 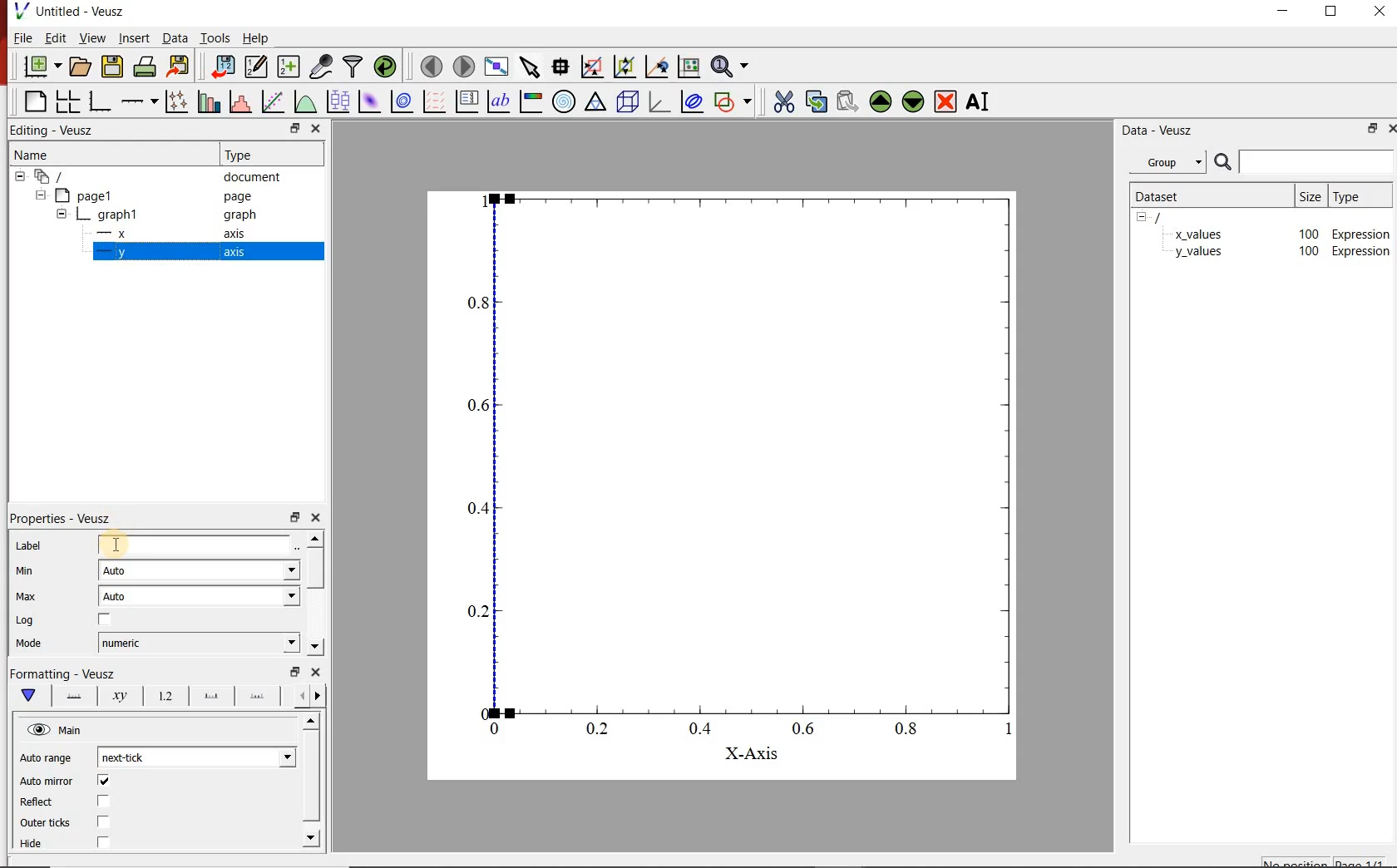 What do you see at coordinates (167, 696) in the screenshot?
I see `tick label` at bounding box center [167, 696].